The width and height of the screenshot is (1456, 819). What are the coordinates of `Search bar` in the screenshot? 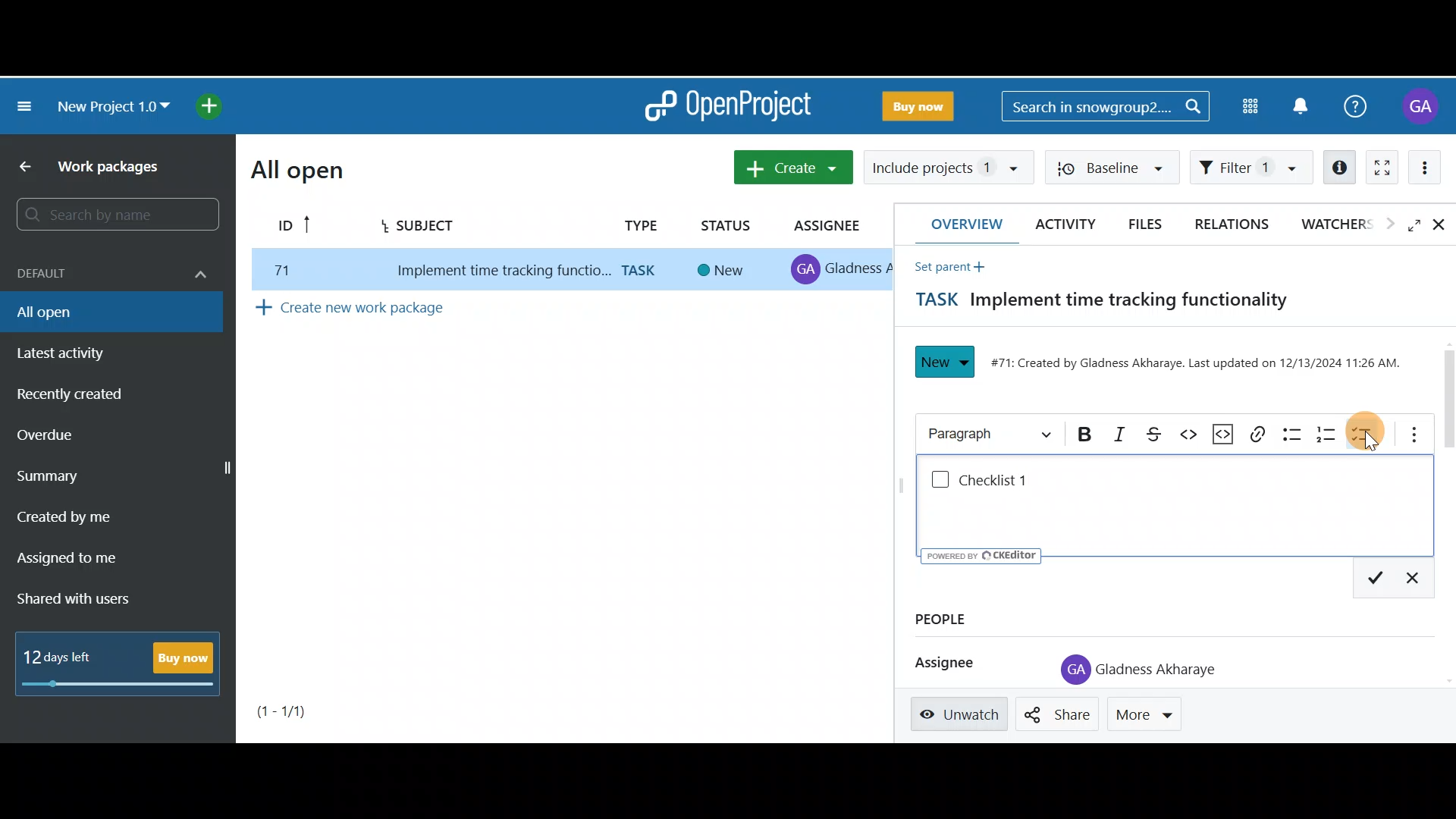 It's located at (1109, 104).